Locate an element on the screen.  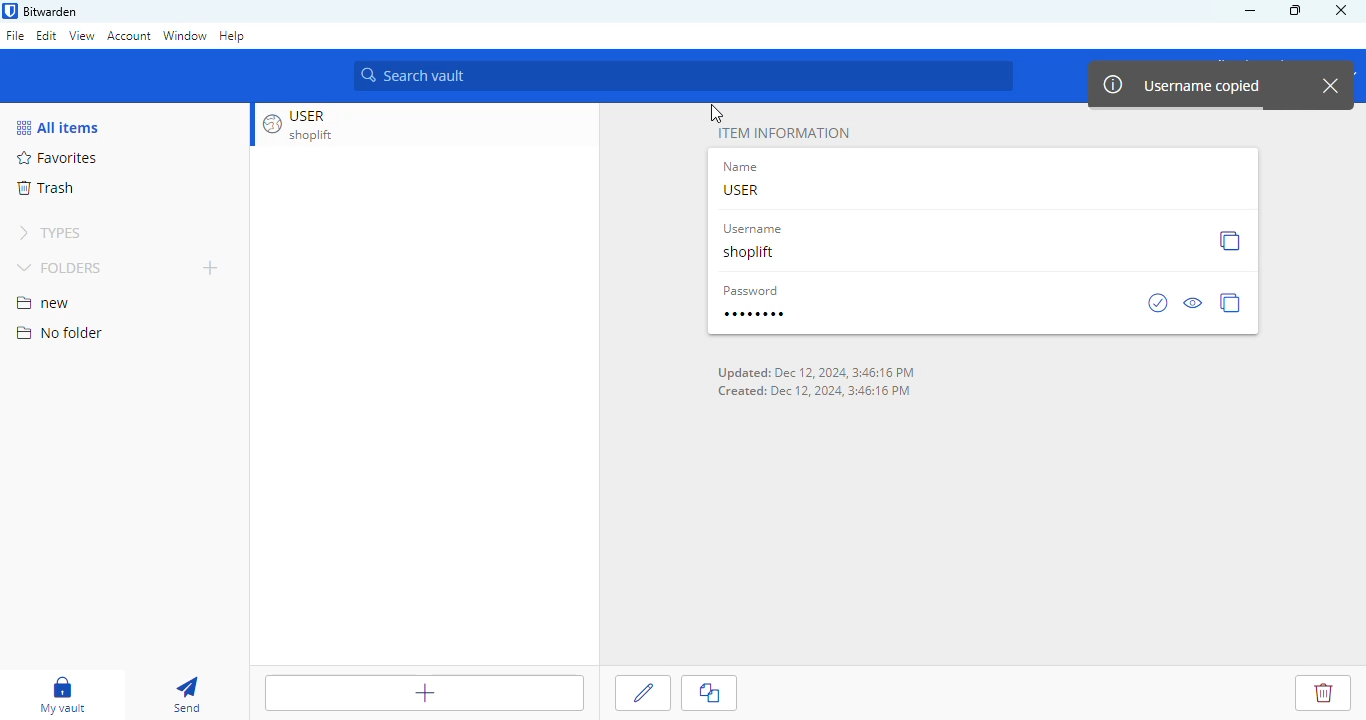
trash is located at coordinates (46, 187).